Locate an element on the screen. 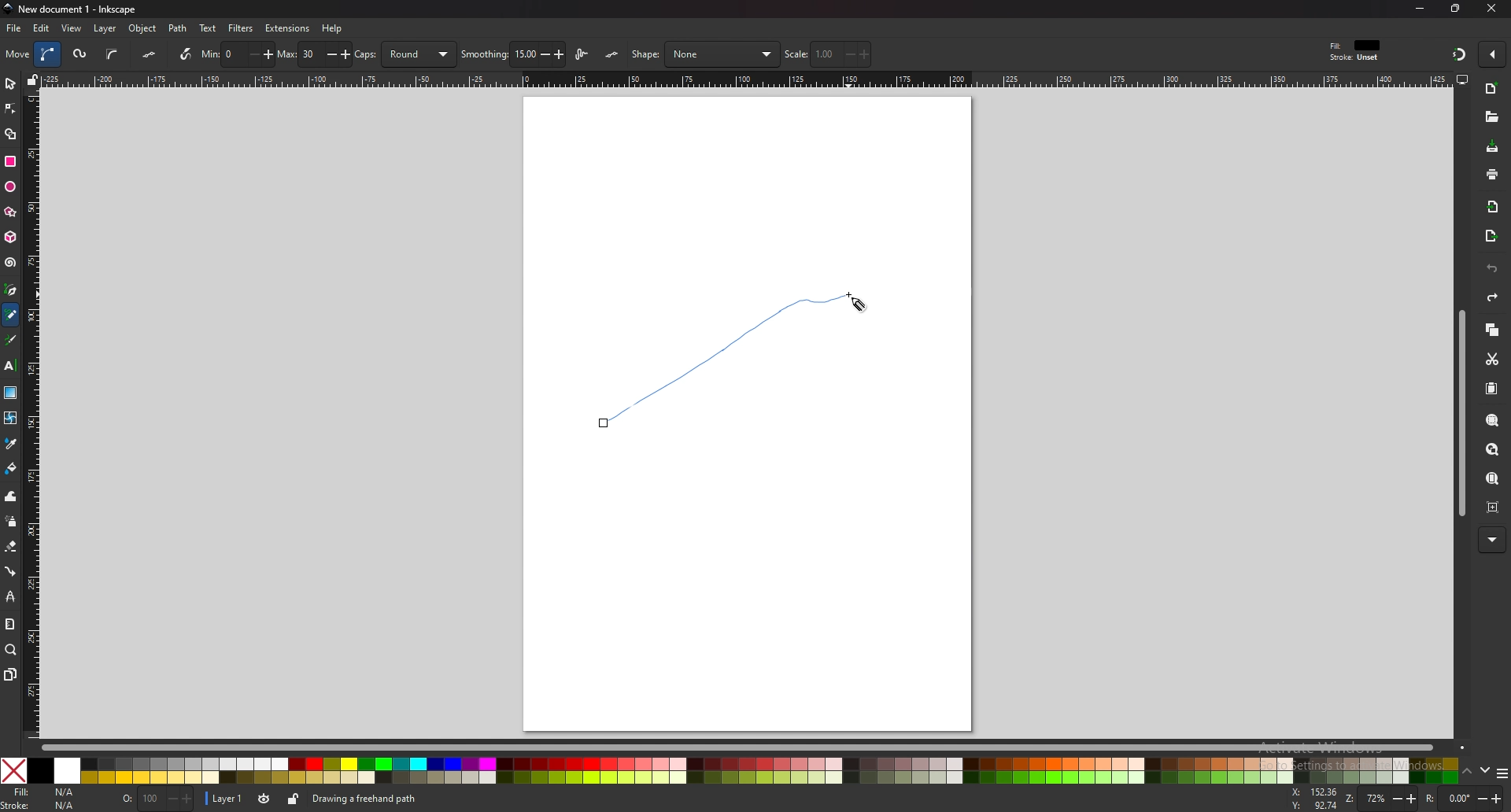  rotation is located at coordinates (1461, 795).